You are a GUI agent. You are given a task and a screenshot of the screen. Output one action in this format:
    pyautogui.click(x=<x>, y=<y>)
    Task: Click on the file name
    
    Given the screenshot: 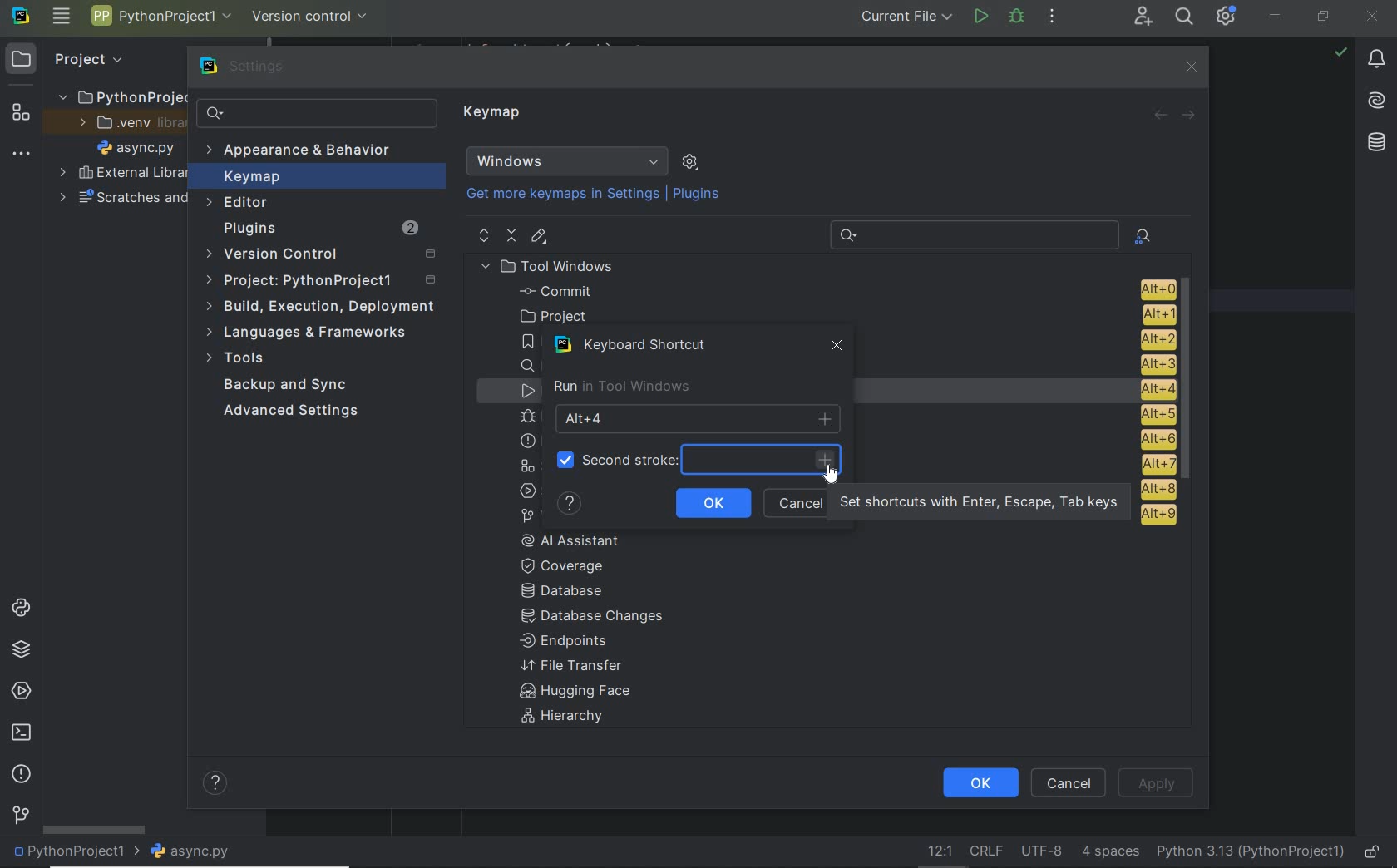 What is the action you would take?
    pyautogui.click(x=136, y=147)
    